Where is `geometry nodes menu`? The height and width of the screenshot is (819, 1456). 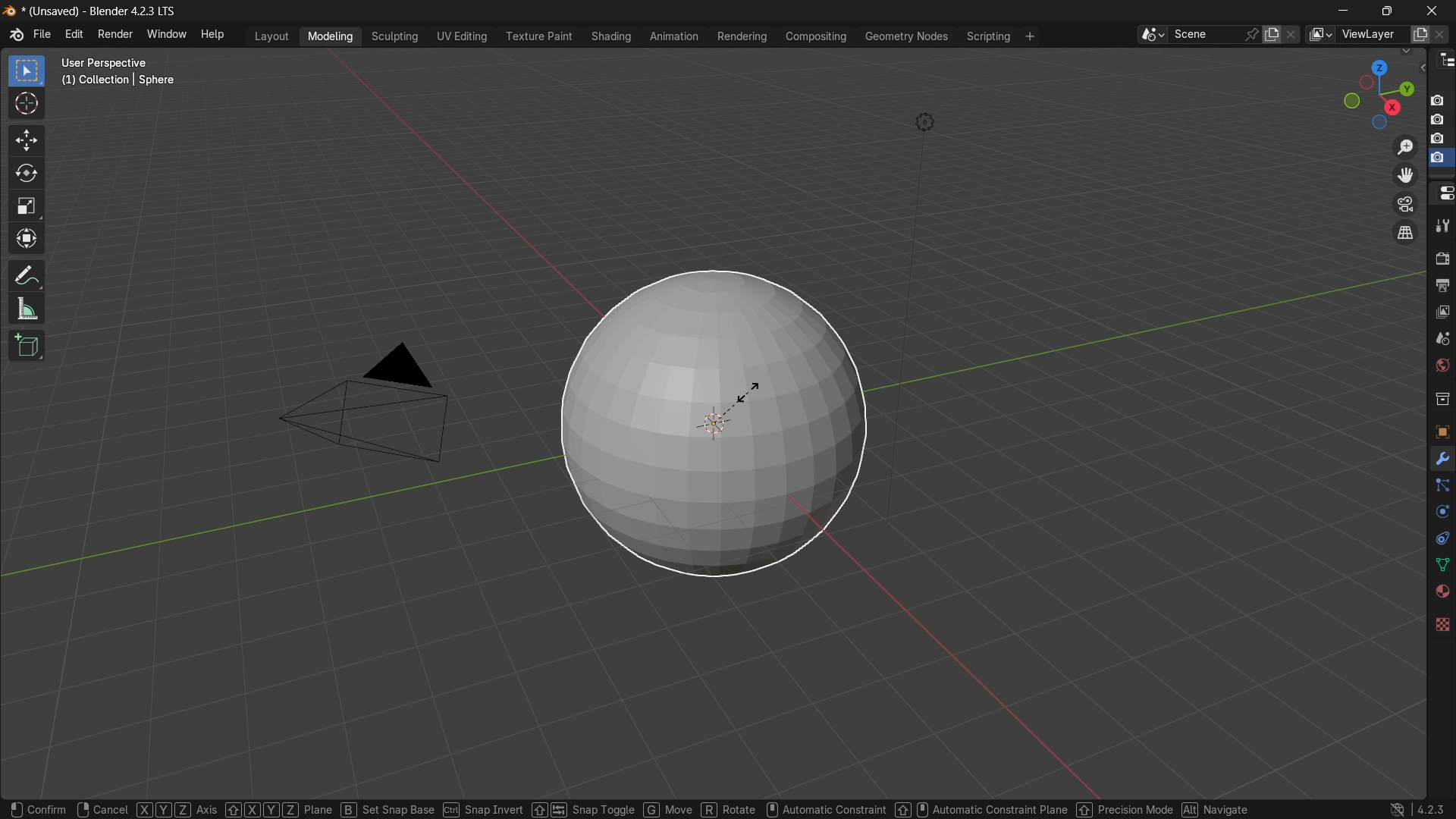 geometry nodes menu is located at coordinates (908, 38).